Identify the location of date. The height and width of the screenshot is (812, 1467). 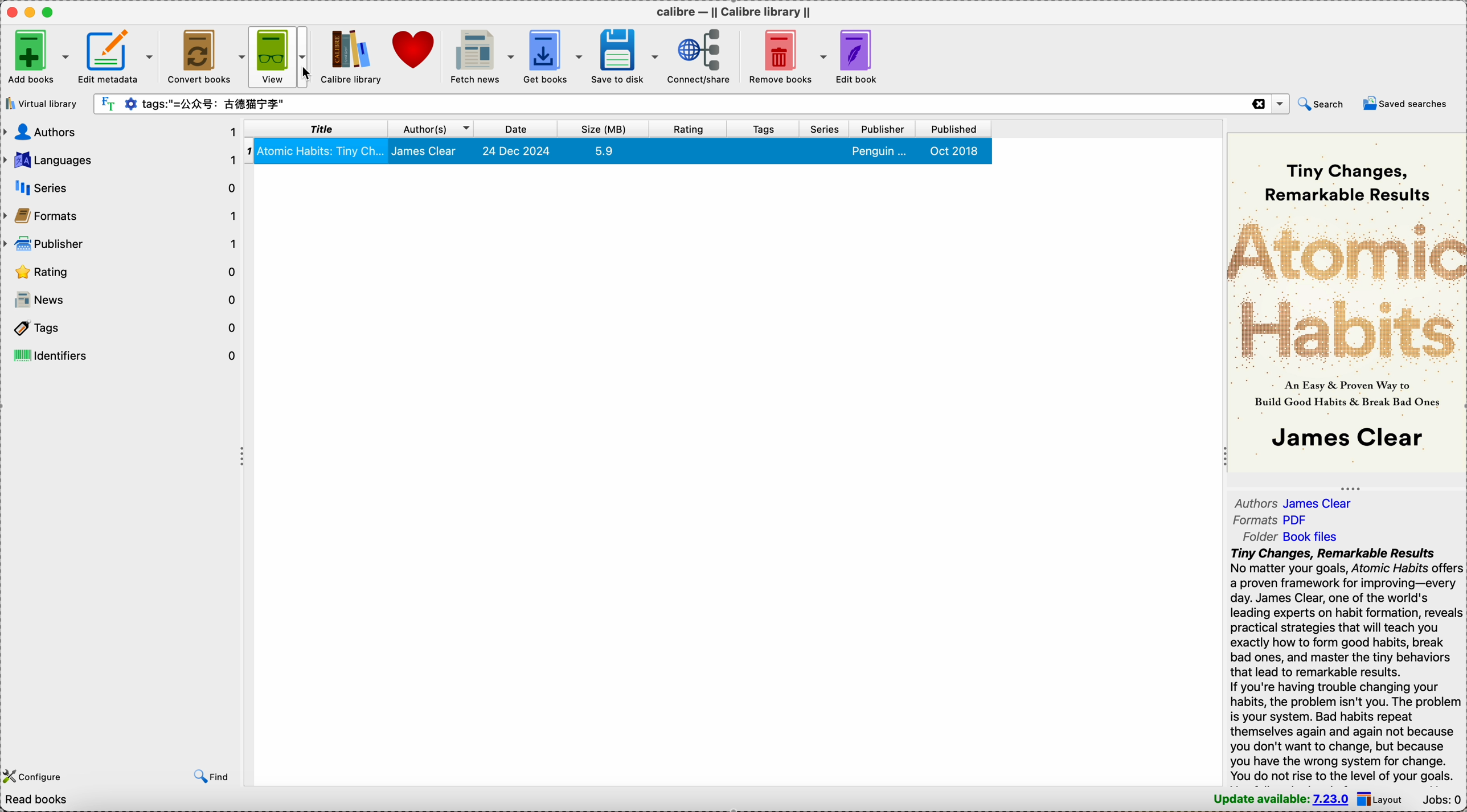
(517, 129).